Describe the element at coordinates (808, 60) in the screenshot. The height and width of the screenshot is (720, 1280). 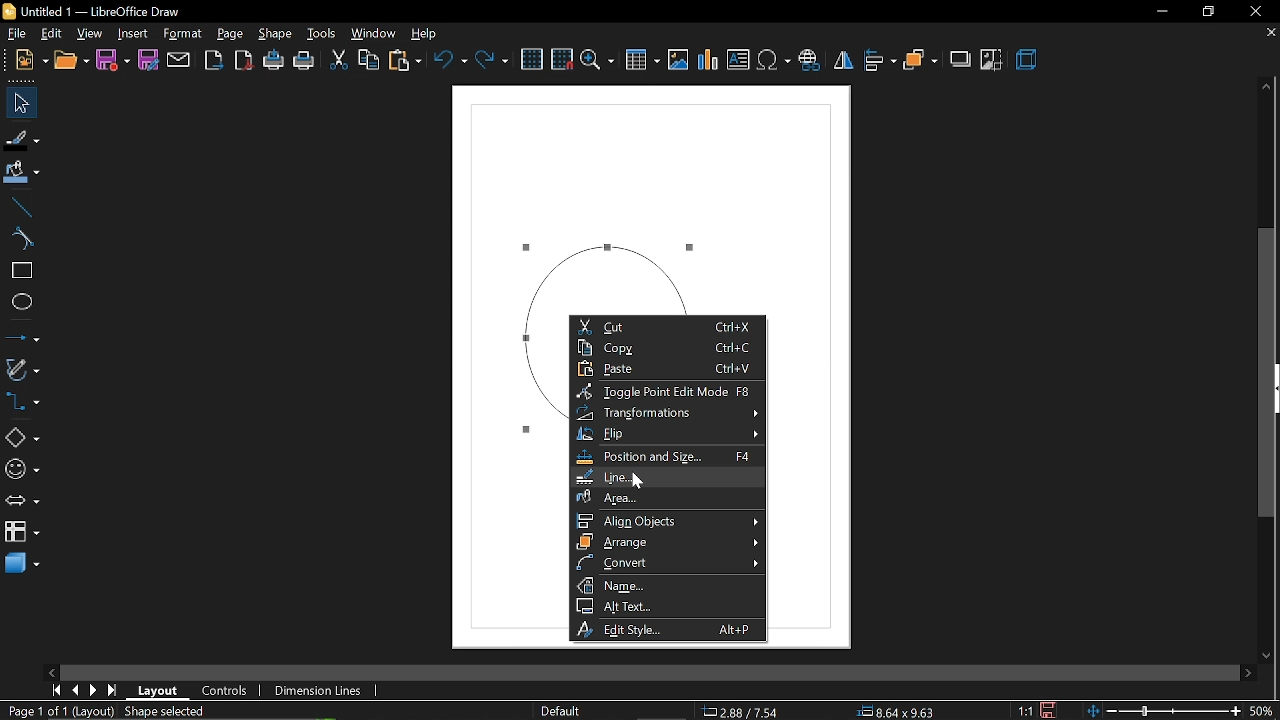
I see `insert hyperlink` at that location.